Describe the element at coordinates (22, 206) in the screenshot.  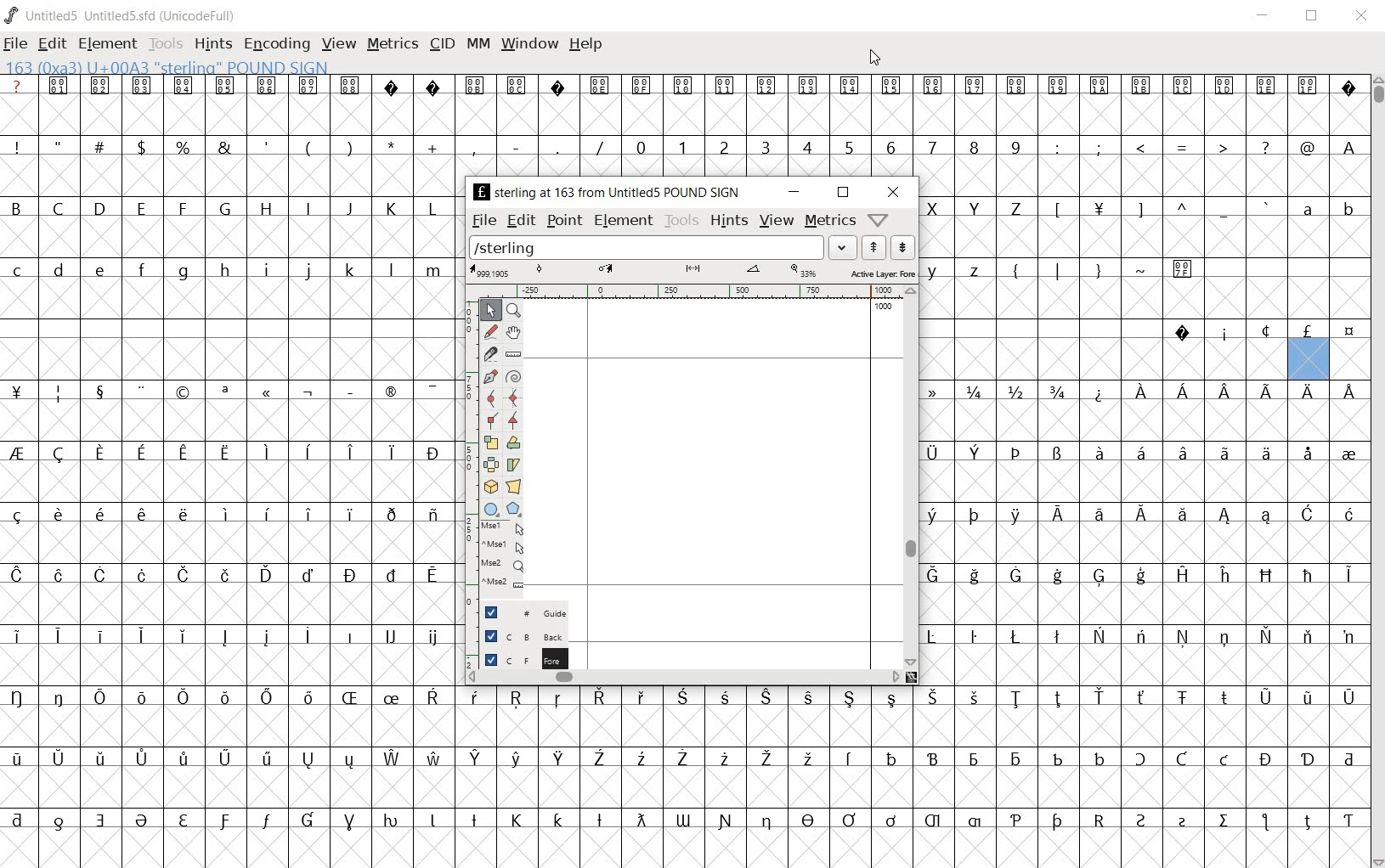
I see `B` at that location.